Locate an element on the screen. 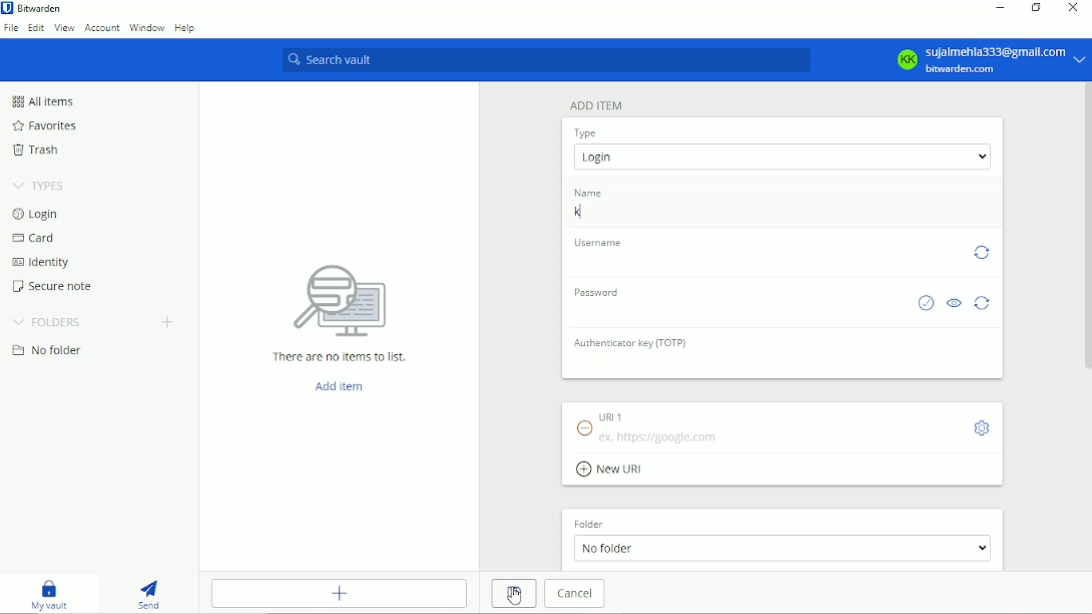 The height and width of the screenshot is (614, 1092). Trash is located at coordinates (38, 150).